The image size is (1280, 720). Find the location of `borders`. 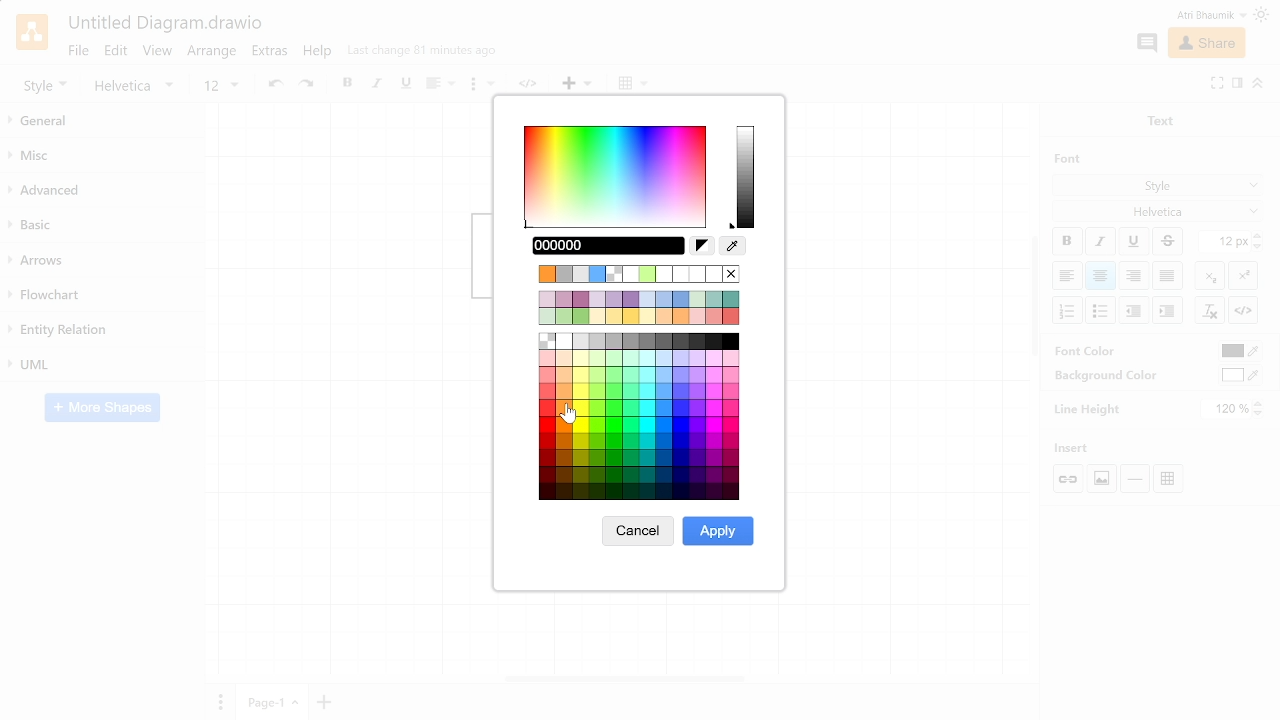

borders is located at coordinates (633, 84).